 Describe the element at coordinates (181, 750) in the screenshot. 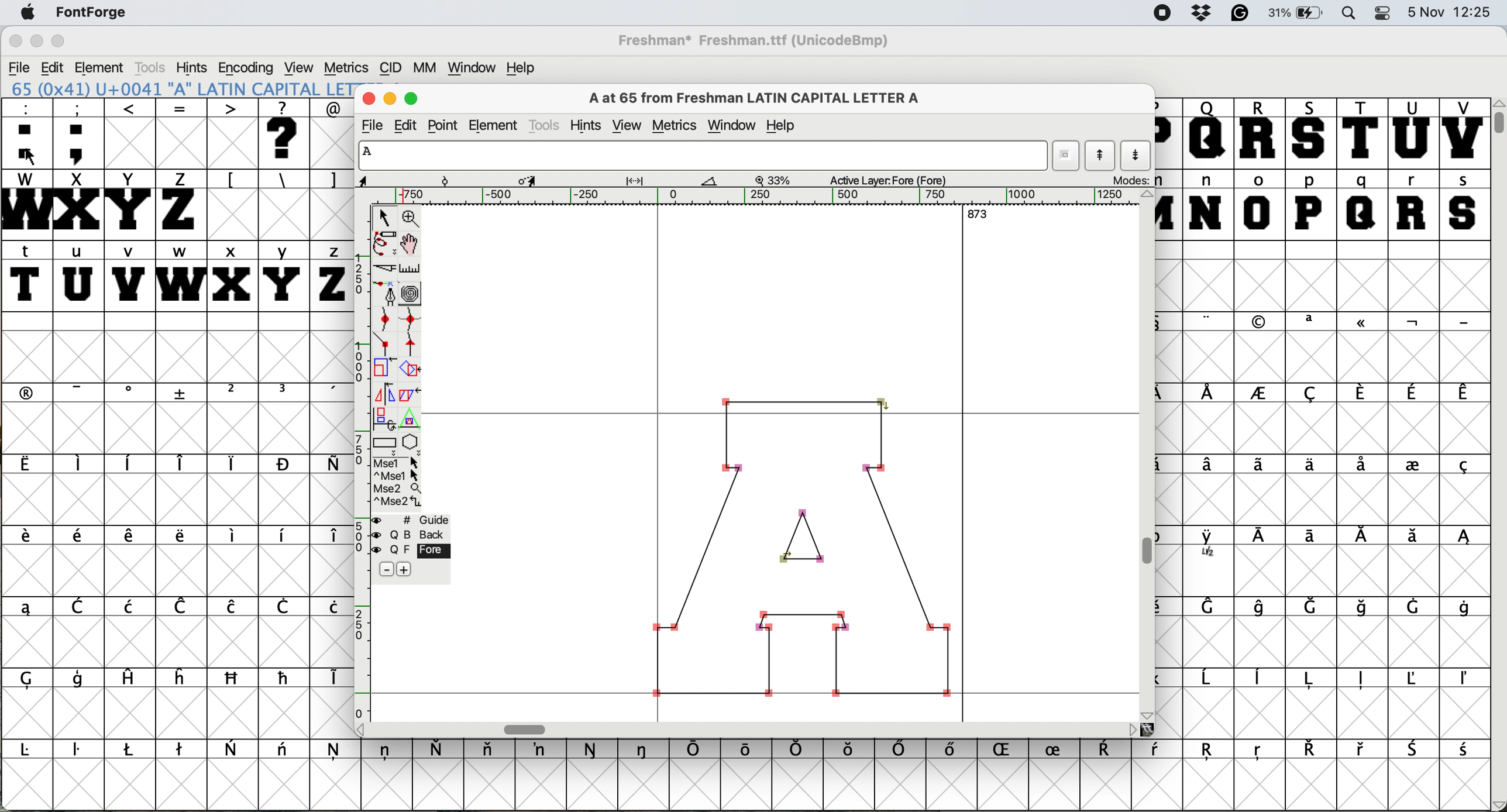

I see `symbol` at that location.